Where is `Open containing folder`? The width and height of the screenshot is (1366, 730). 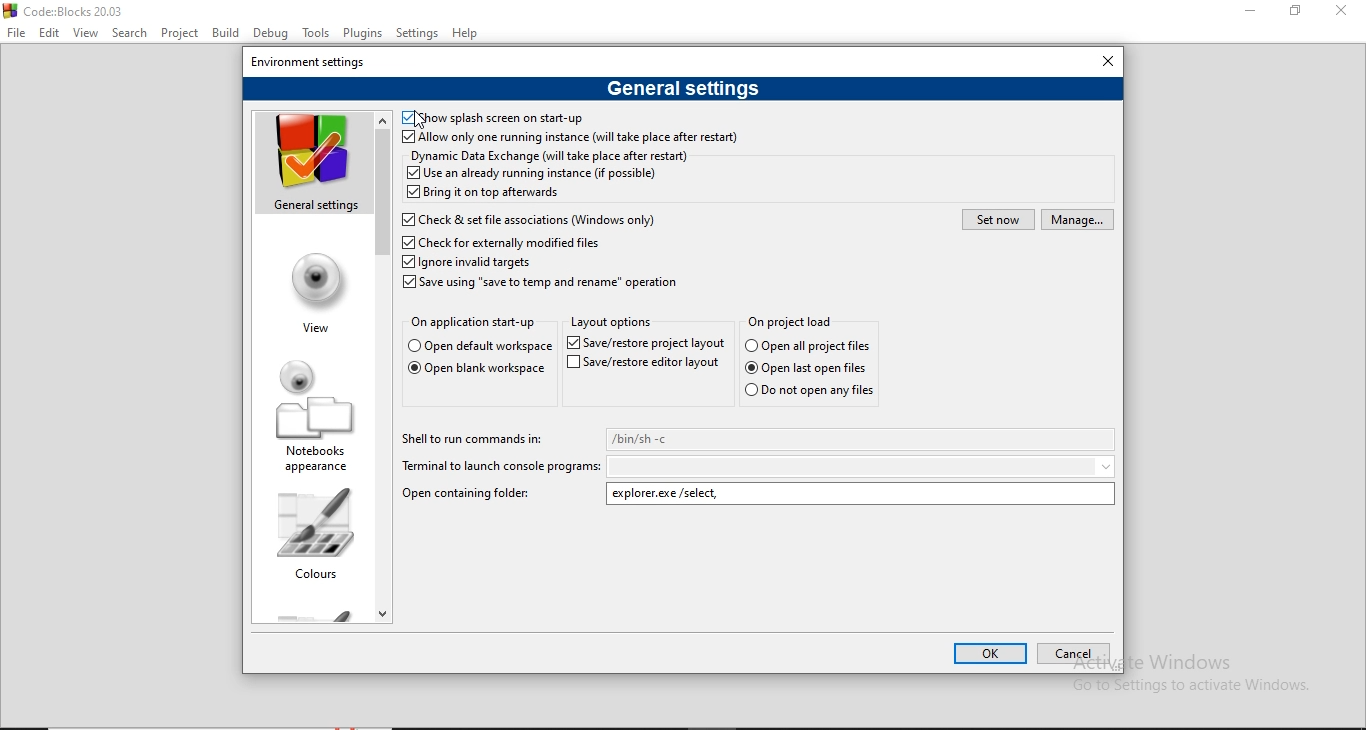
Open containing folder is located at coordinates (473, 495).